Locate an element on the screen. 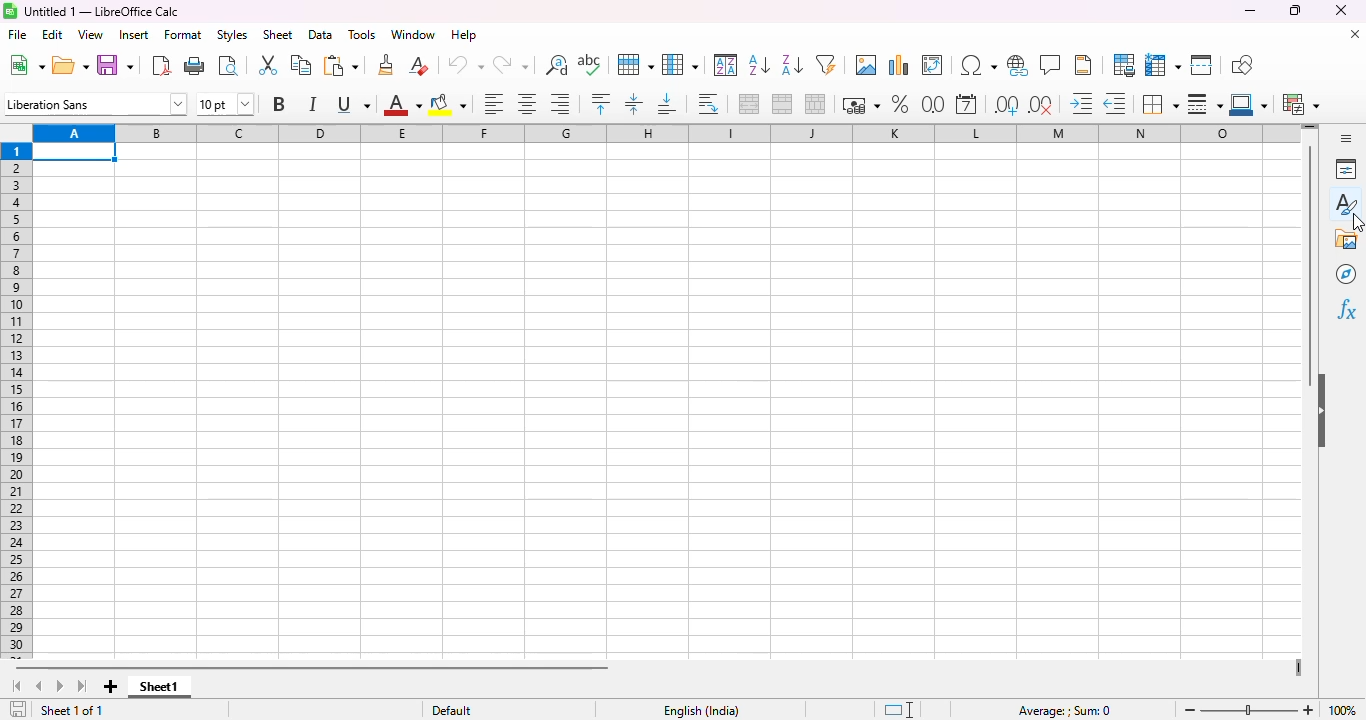  default is located at coordinates (451, 710).